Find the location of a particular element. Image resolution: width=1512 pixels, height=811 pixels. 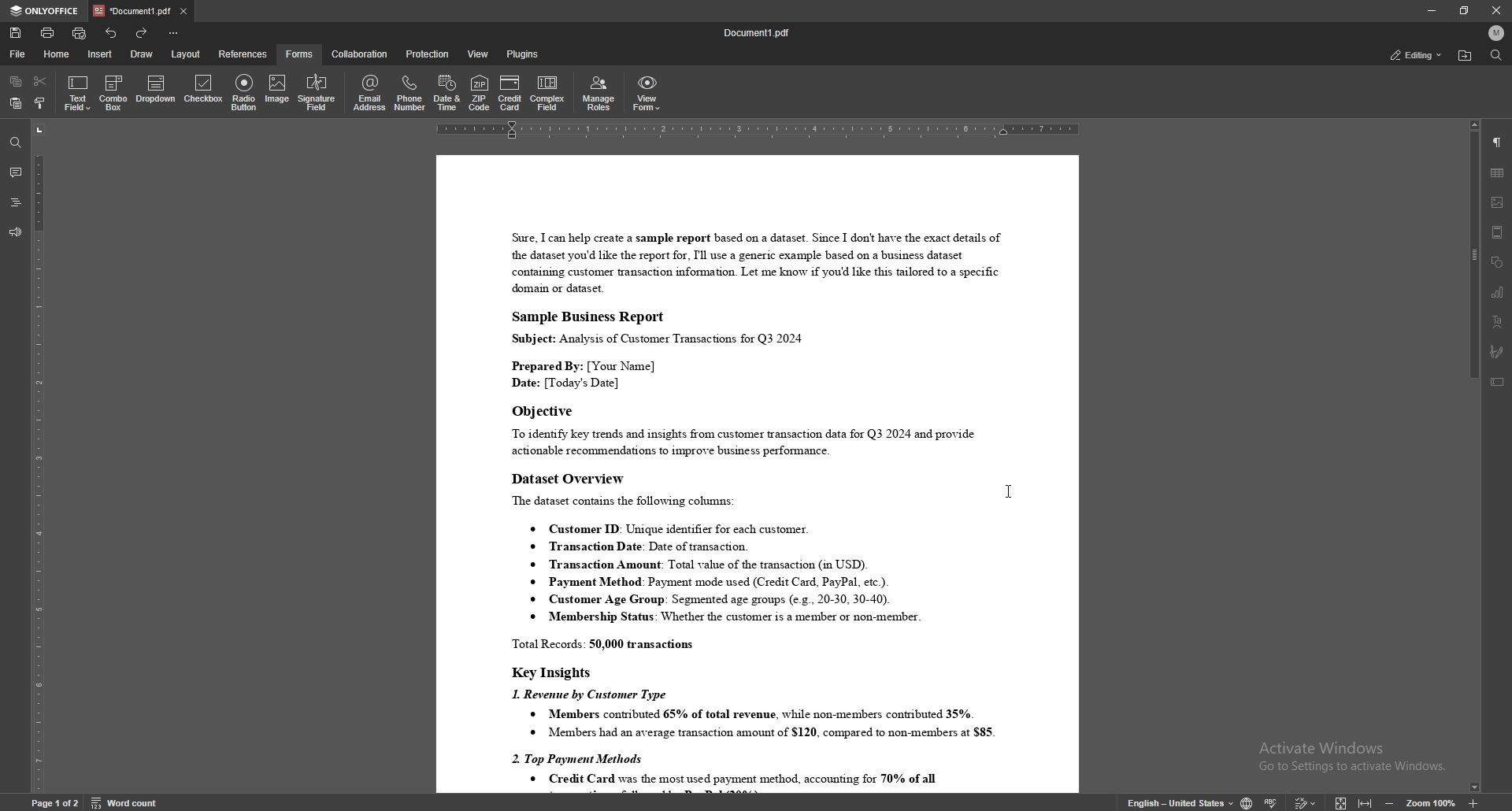

signature field is located at coordinates (317, 94).